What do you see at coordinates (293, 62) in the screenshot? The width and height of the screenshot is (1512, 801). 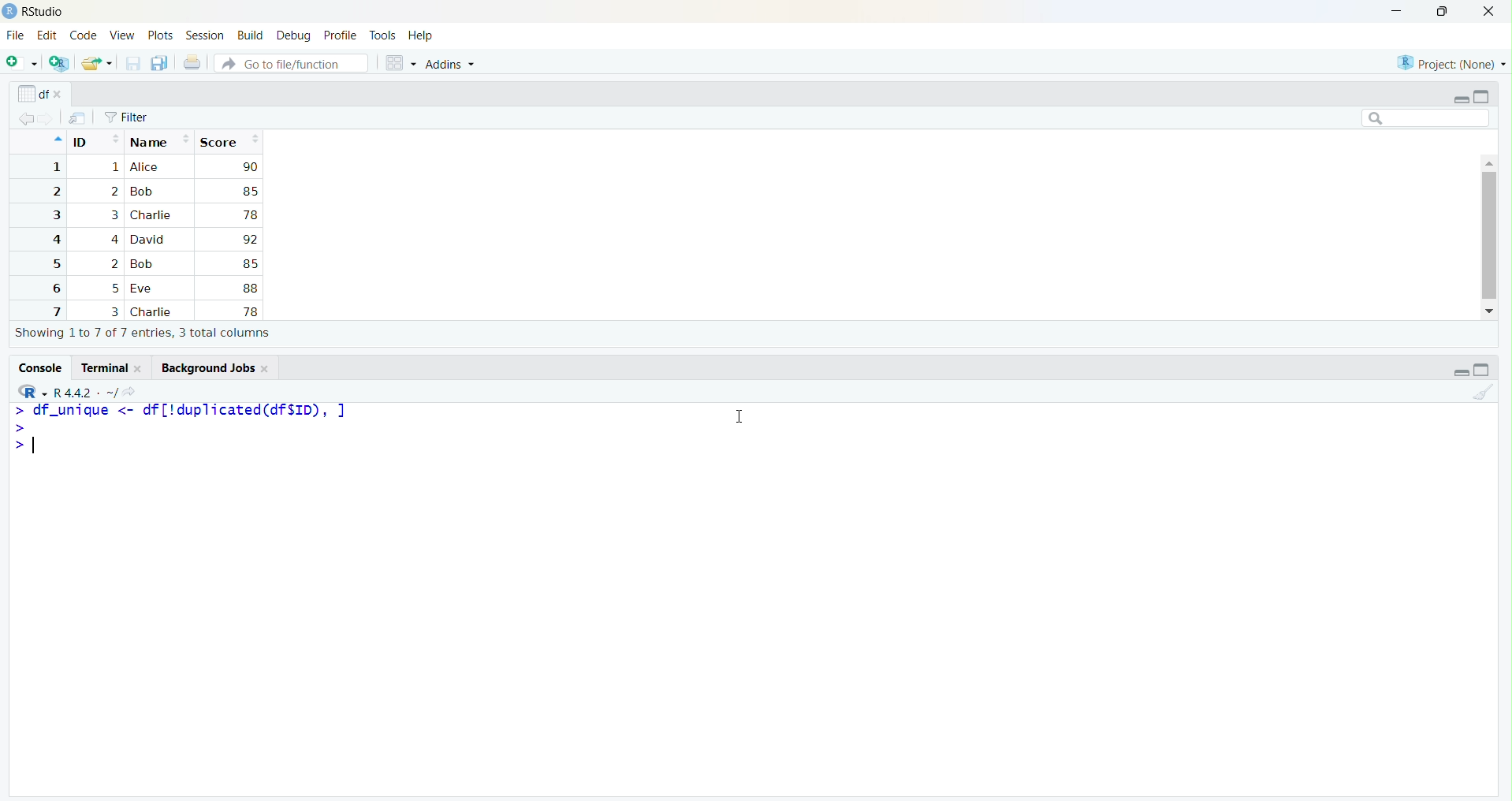 I see `file search` at bounding box center [293, 62].